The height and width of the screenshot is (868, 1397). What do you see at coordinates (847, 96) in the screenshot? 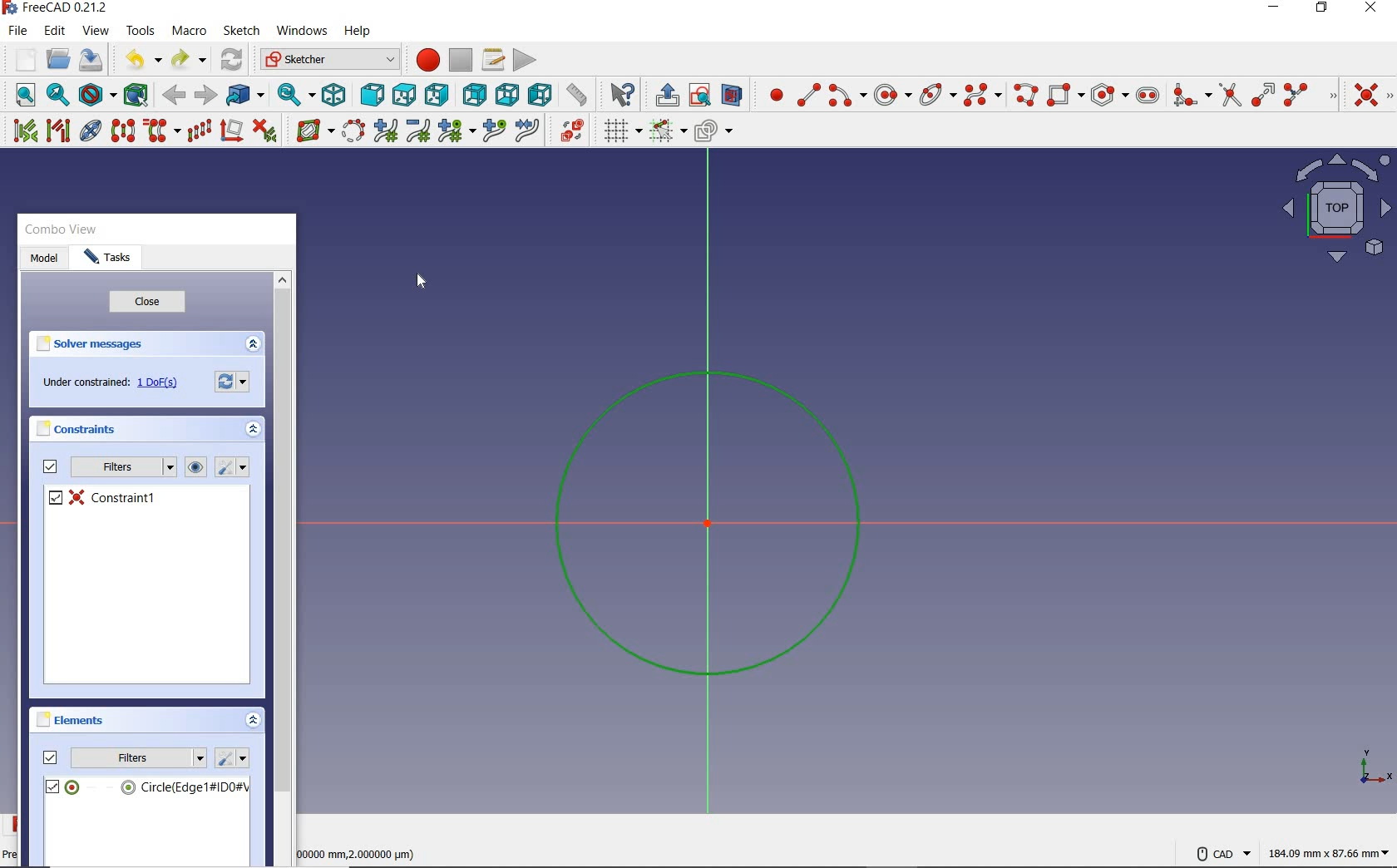
I see `create arc` at bounding box center [847, 96].